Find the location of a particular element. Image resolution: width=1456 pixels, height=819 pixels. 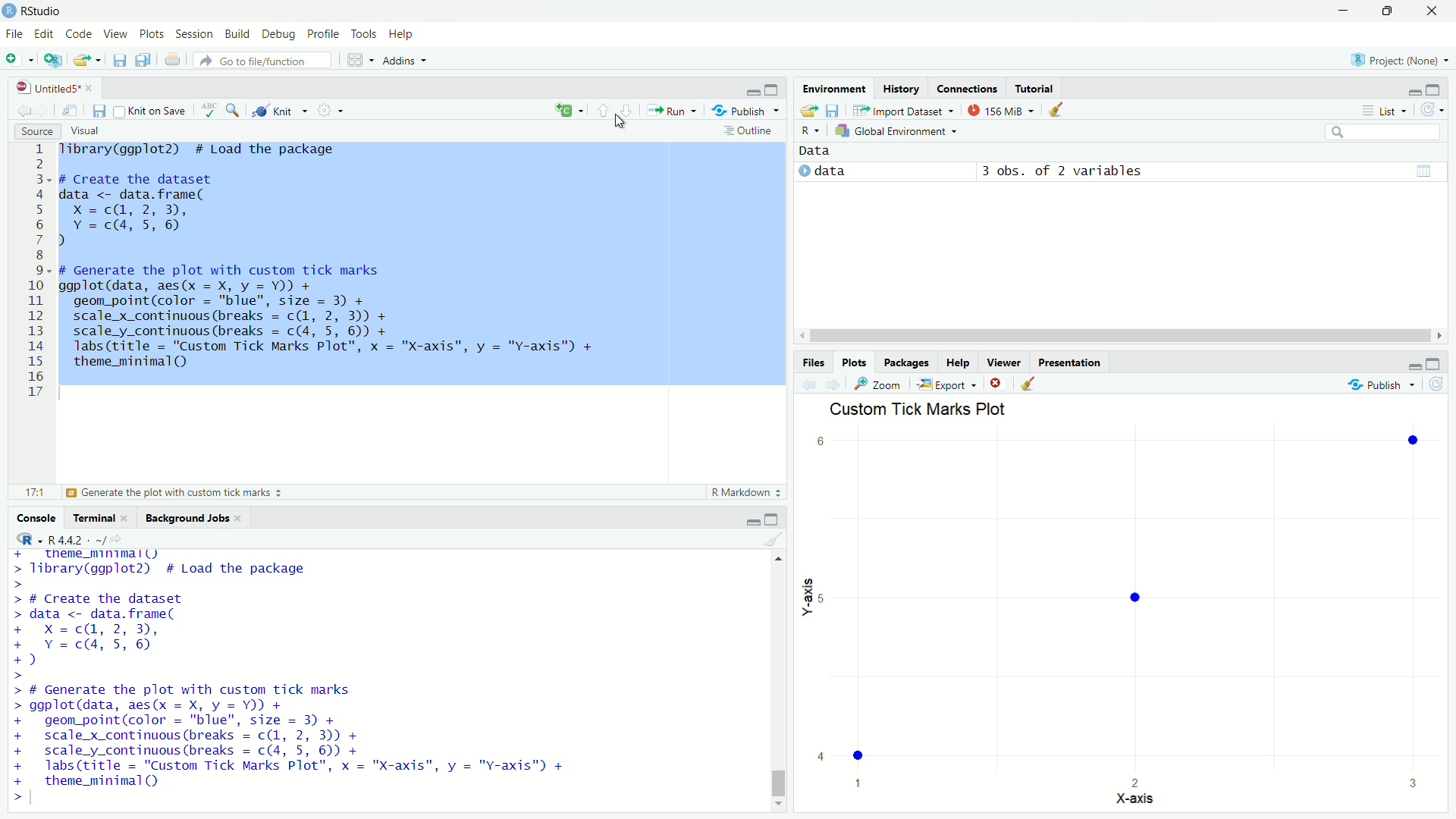

tools is located at coordinates (366, 33).